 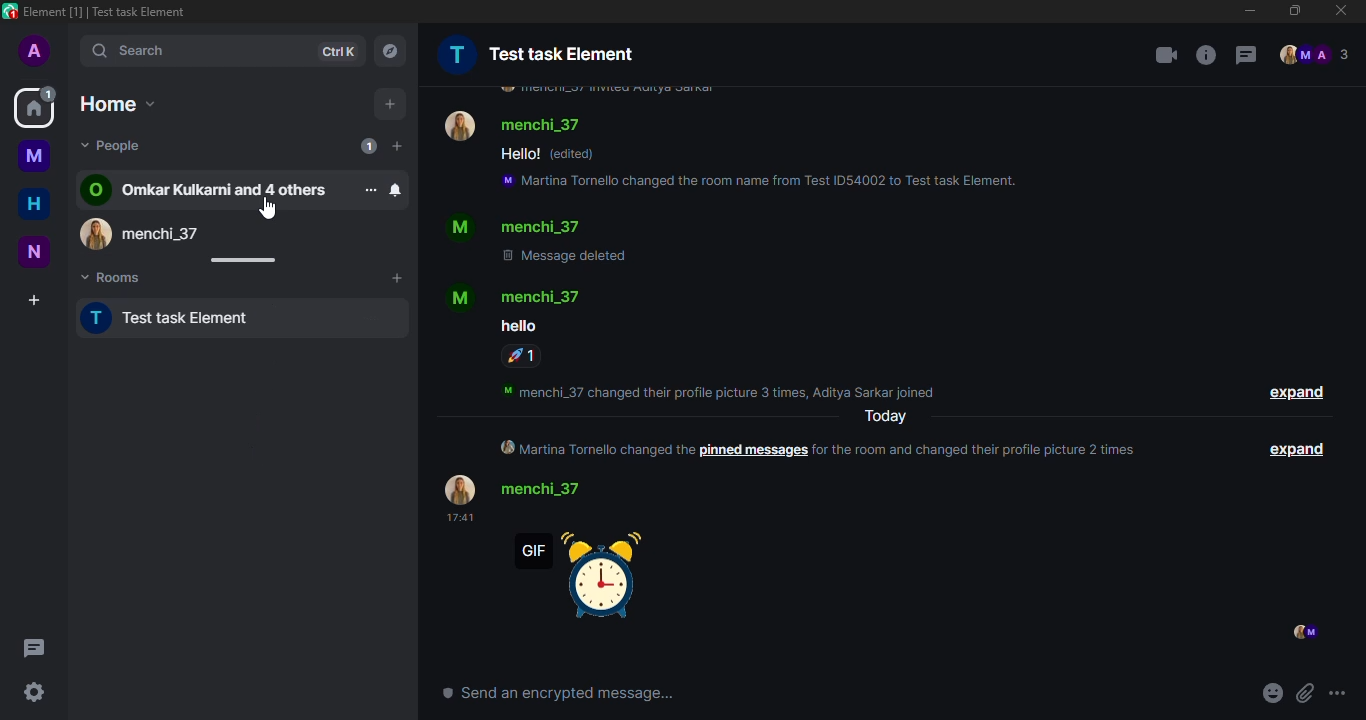 What do you see at coordinates (269, 214) in the screenshot?
I see `cursor` at bounding box center [269, 214].